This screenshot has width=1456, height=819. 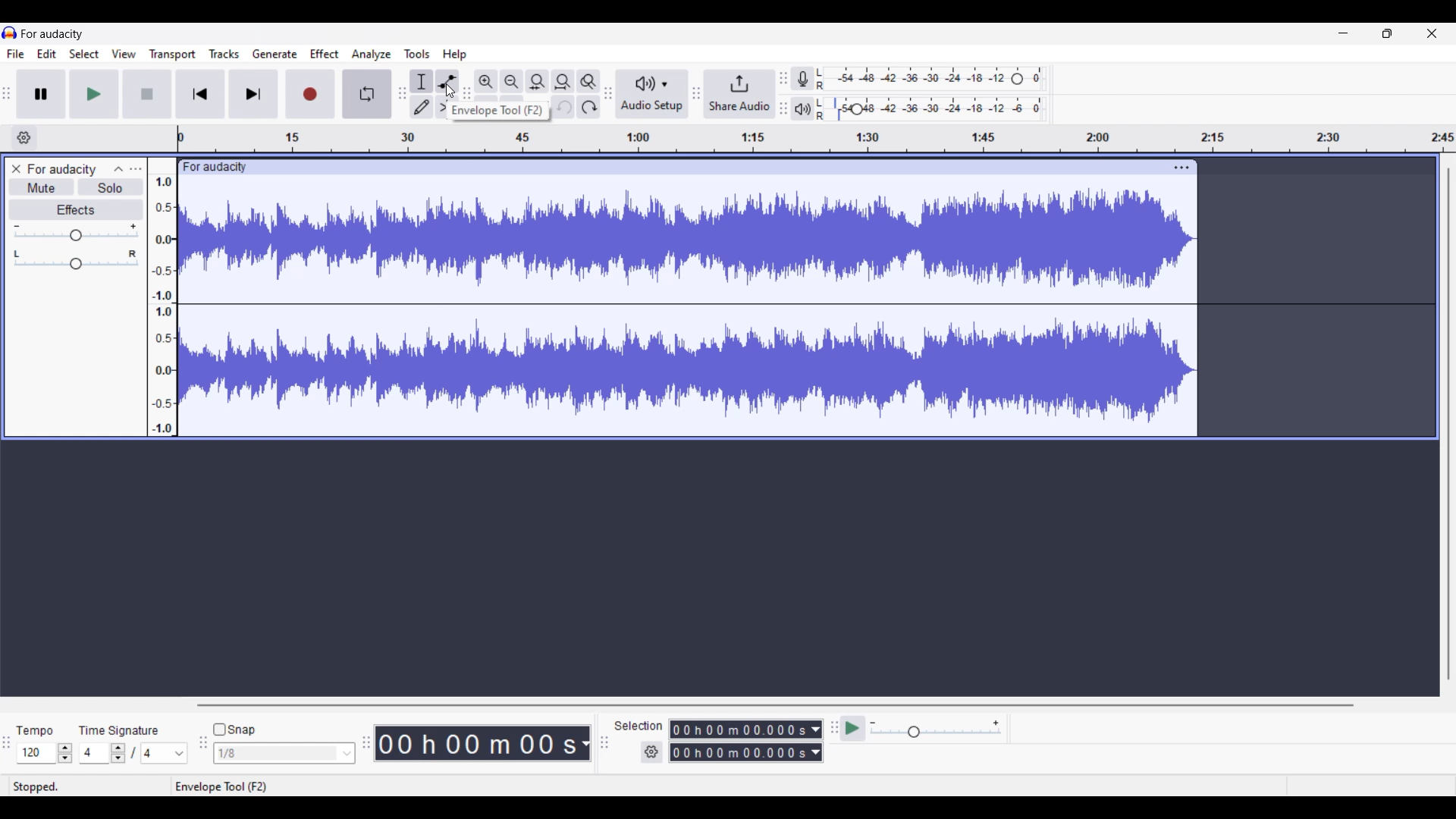 I want to click on time signature, so click(x=118, y=731).